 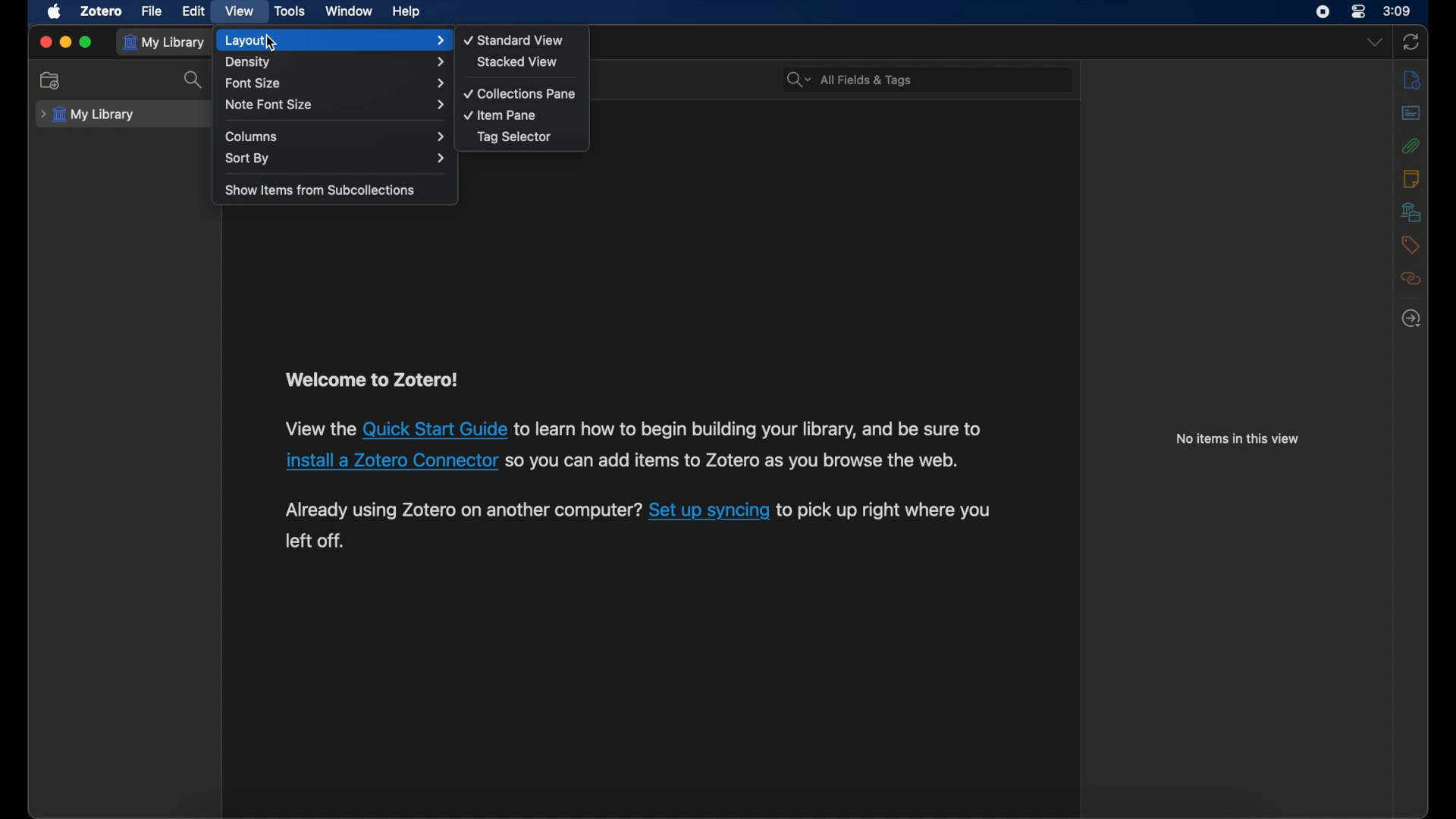 What do you see at coordinates (291, 12) in the screenshot?
I see `tools` at bounding box center [291, 12].